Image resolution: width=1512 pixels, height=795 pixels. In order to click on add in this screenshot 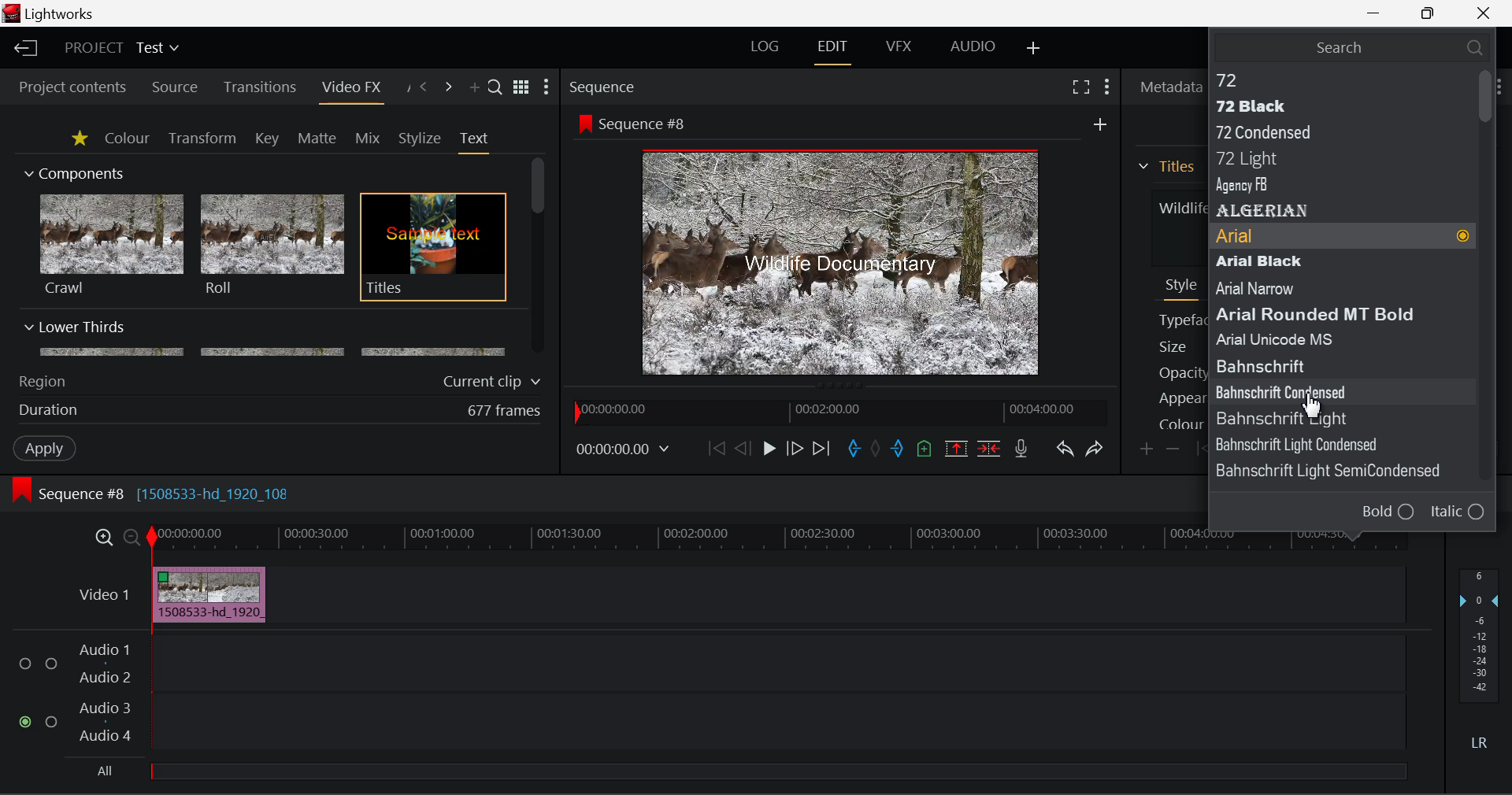, I will do `click(1100, 124)`.